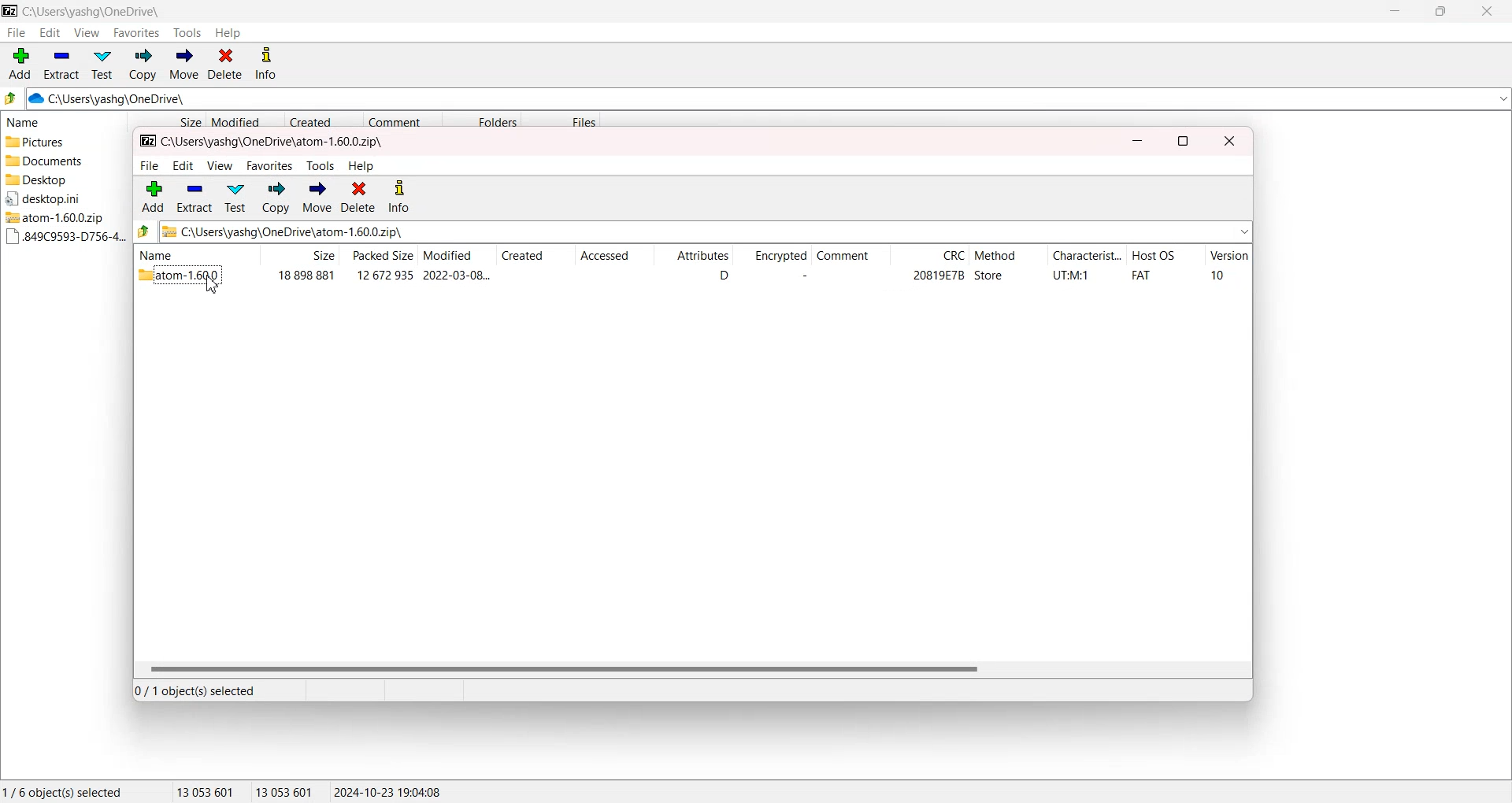  What do you see at coordinates (1071, 276) in the screenshot?
I see `UT:M:1` at bounding box center [1071, 276].